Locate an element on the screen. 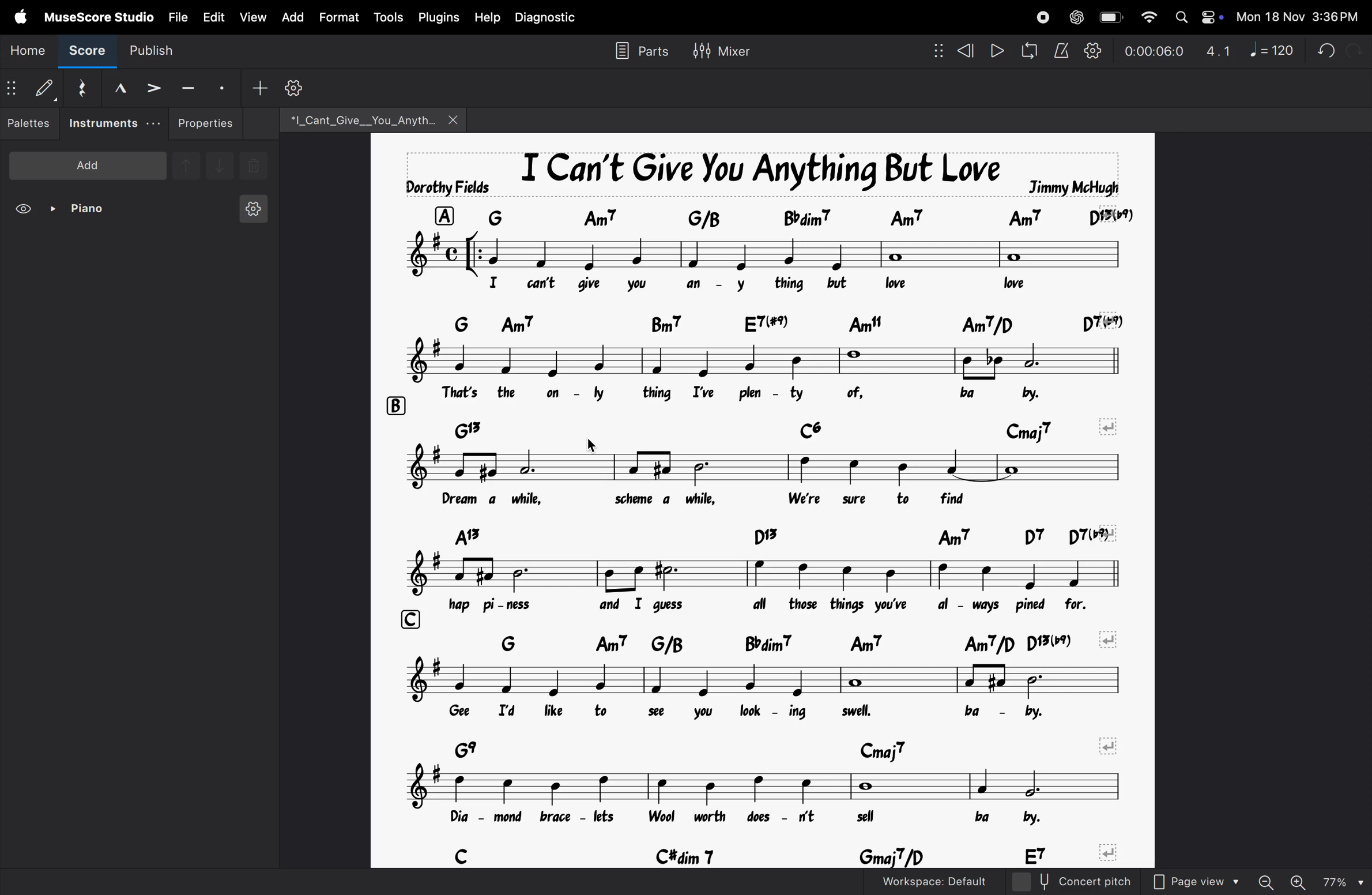 This screenshot has height=895, width=1372. workspace default is located at coordinates (934, 881).